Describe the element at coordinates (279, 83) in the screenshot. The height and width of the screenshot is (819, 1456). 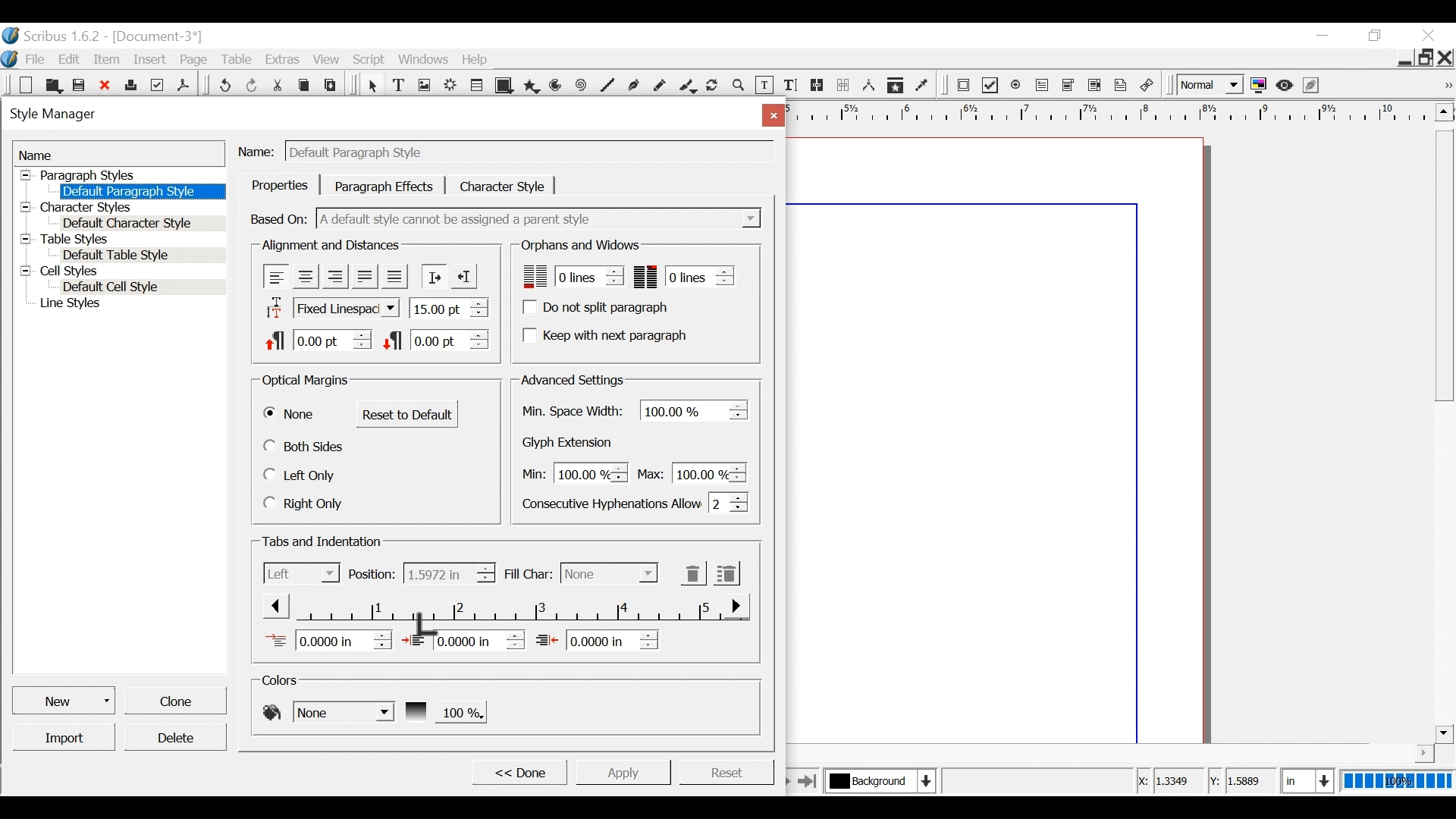
I see `Cut` at that location.